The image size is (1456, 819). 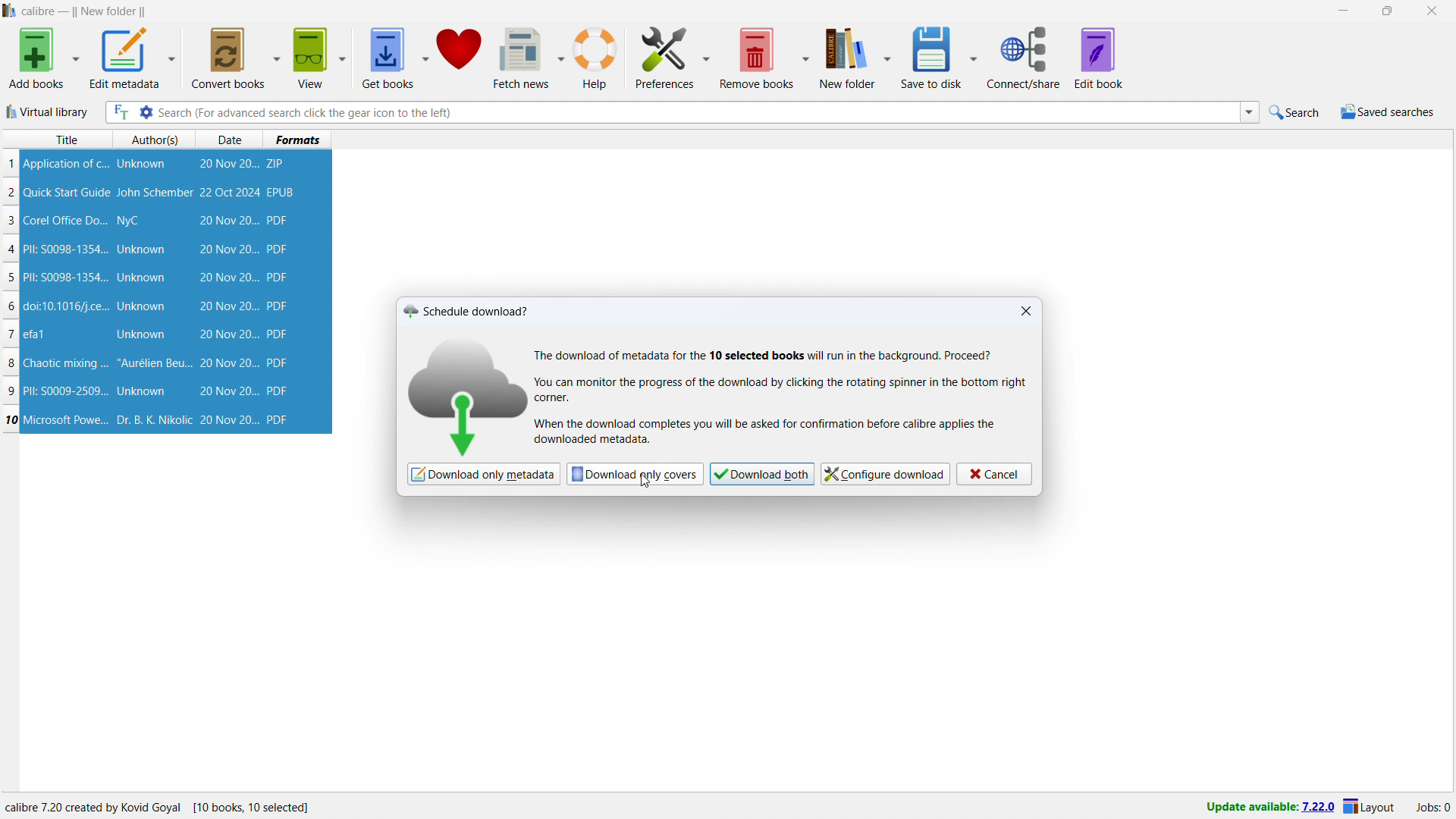 What do you see at coordinates (227, 391) in the screenshot?
I see `20 Nov 20...` at bounding box center [227, 391].